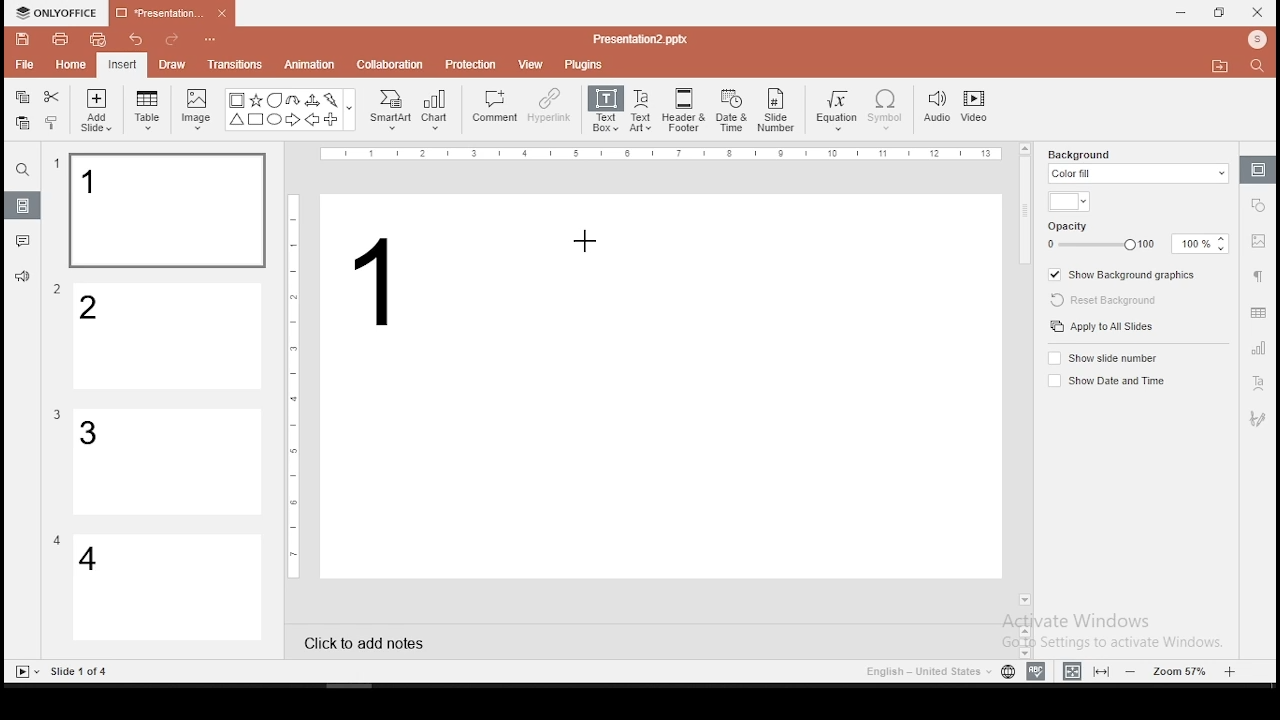 The width and height of the screenshot is (1280, 720). What do you see at coordinates (885, 111) in the screenshot?
I see `symbol` at bounding box center [885, 111].